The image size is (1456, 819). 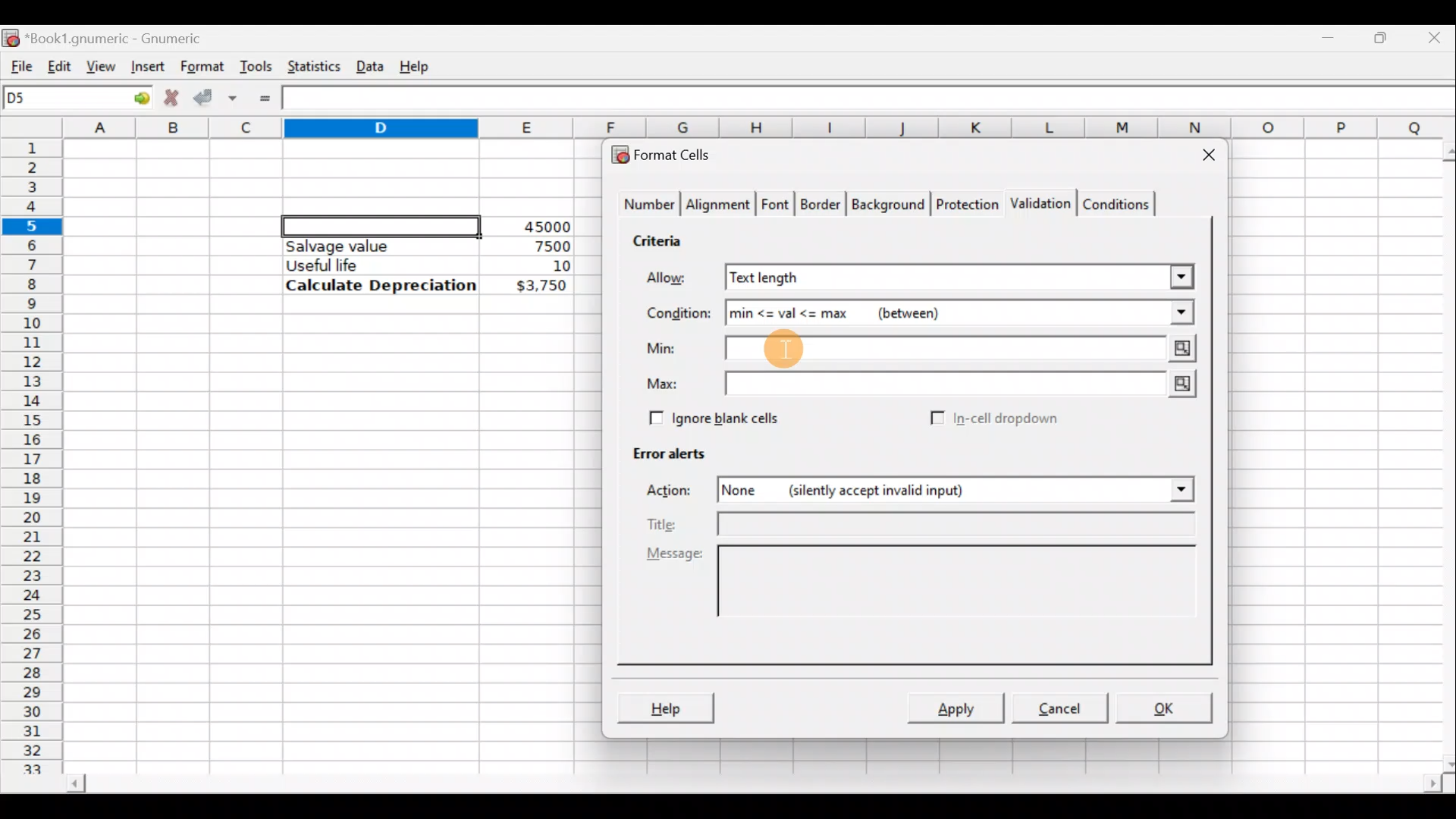 I want to click on Book1.gnumeric - Gnumeric, so click(x=124, y=37).